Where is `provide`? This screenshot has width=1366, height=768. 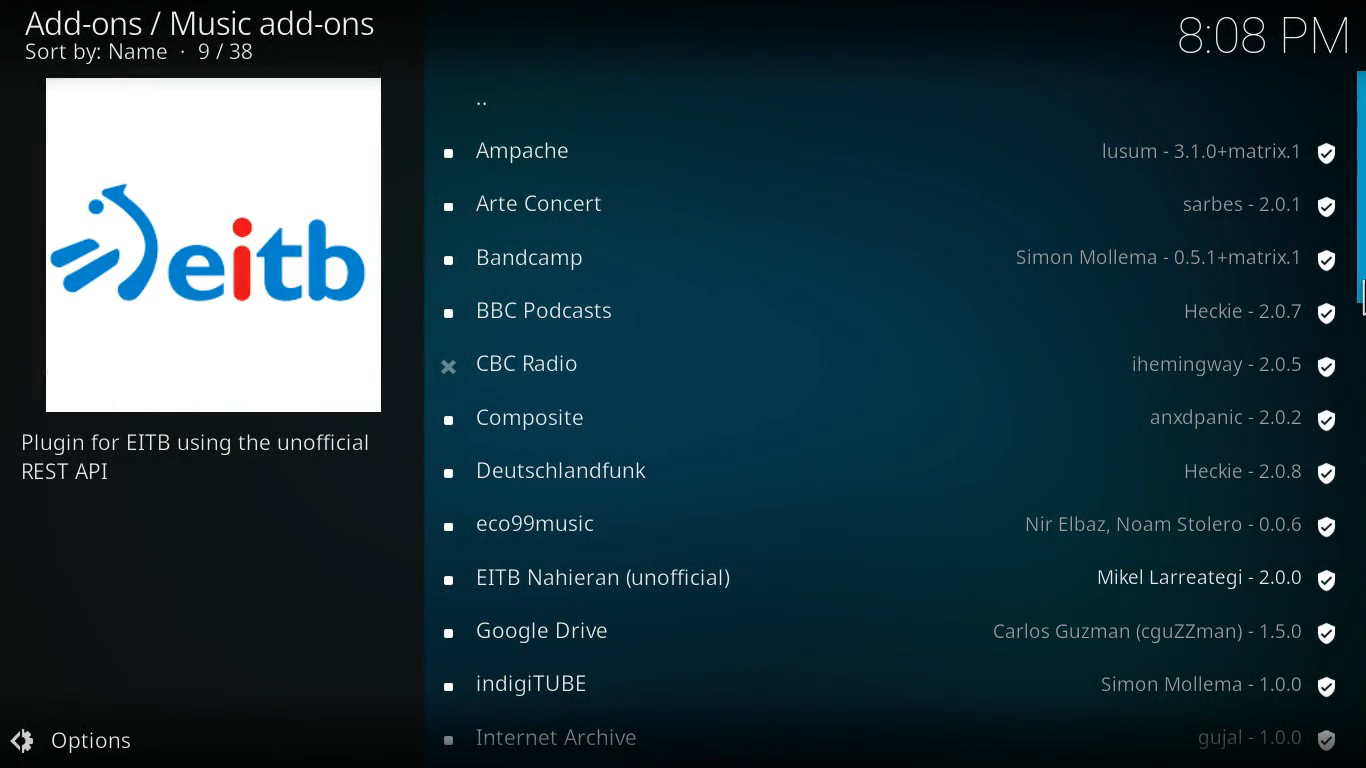
provide is located at coordinates (1175, 258).